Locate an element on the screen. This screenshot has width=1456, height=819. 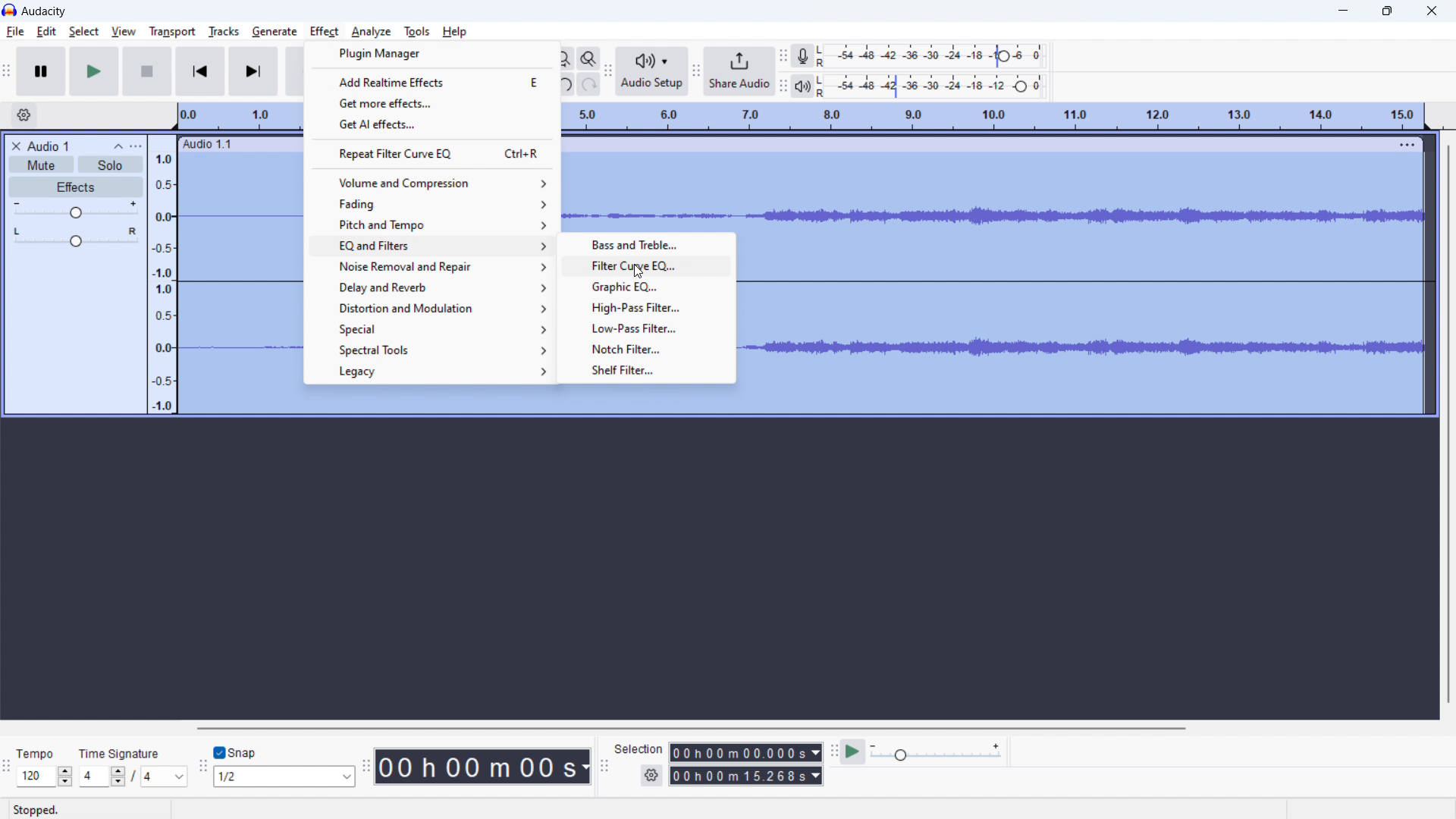
horizontal scrollbar is located at coordinates (689, 728).